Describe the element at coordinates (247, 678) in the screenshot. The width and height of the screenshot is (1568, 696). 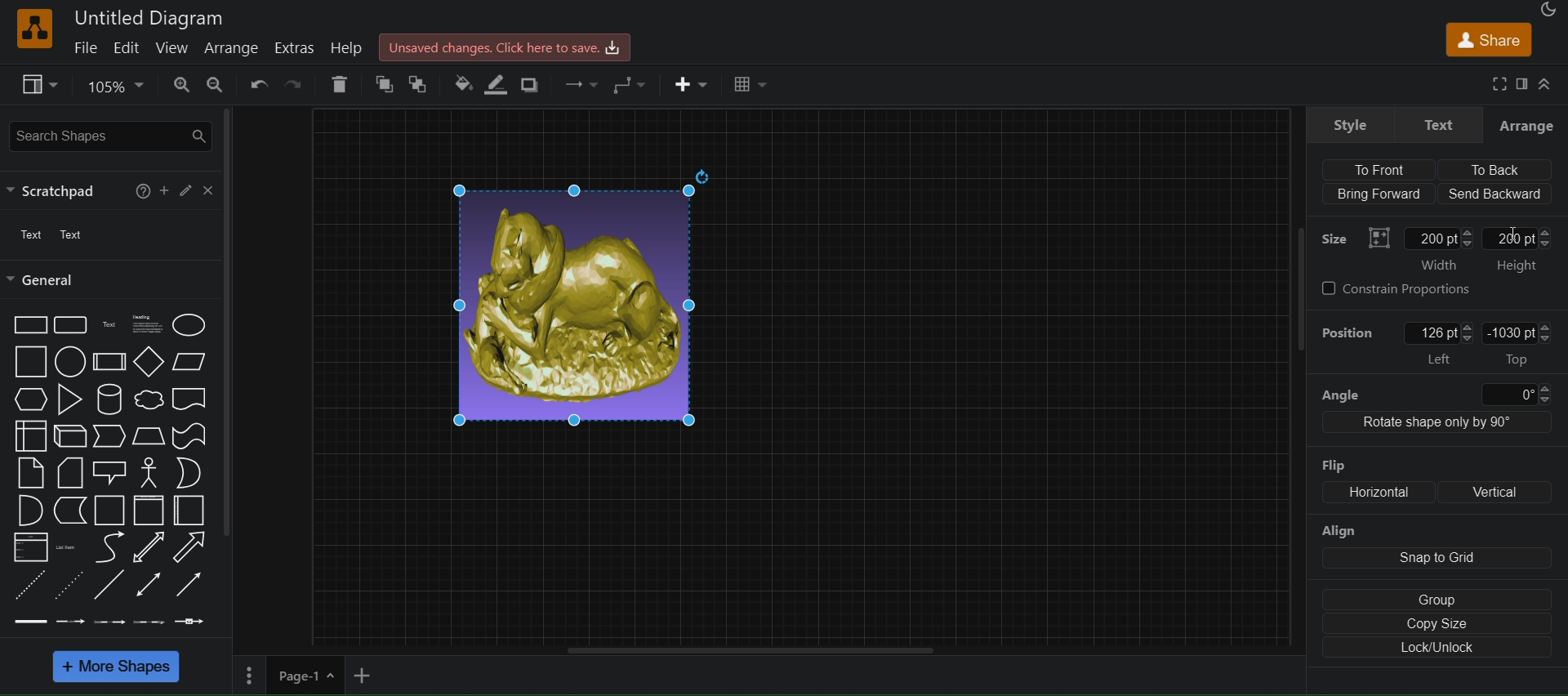
I see `Menu` at that location.